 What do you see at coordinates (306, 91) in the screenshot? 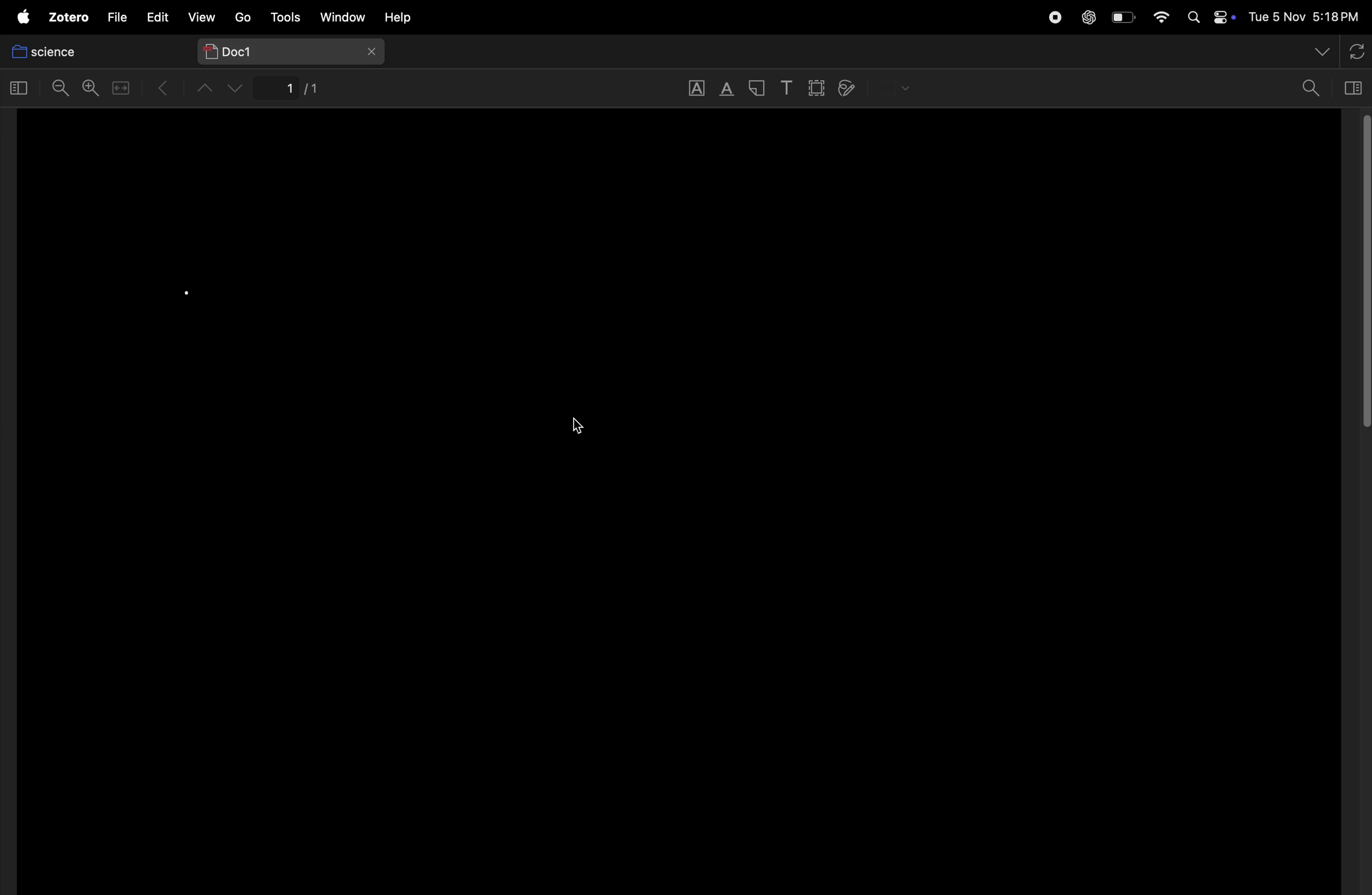
I see `1/1 (page)` at bounding box center [306, 91].